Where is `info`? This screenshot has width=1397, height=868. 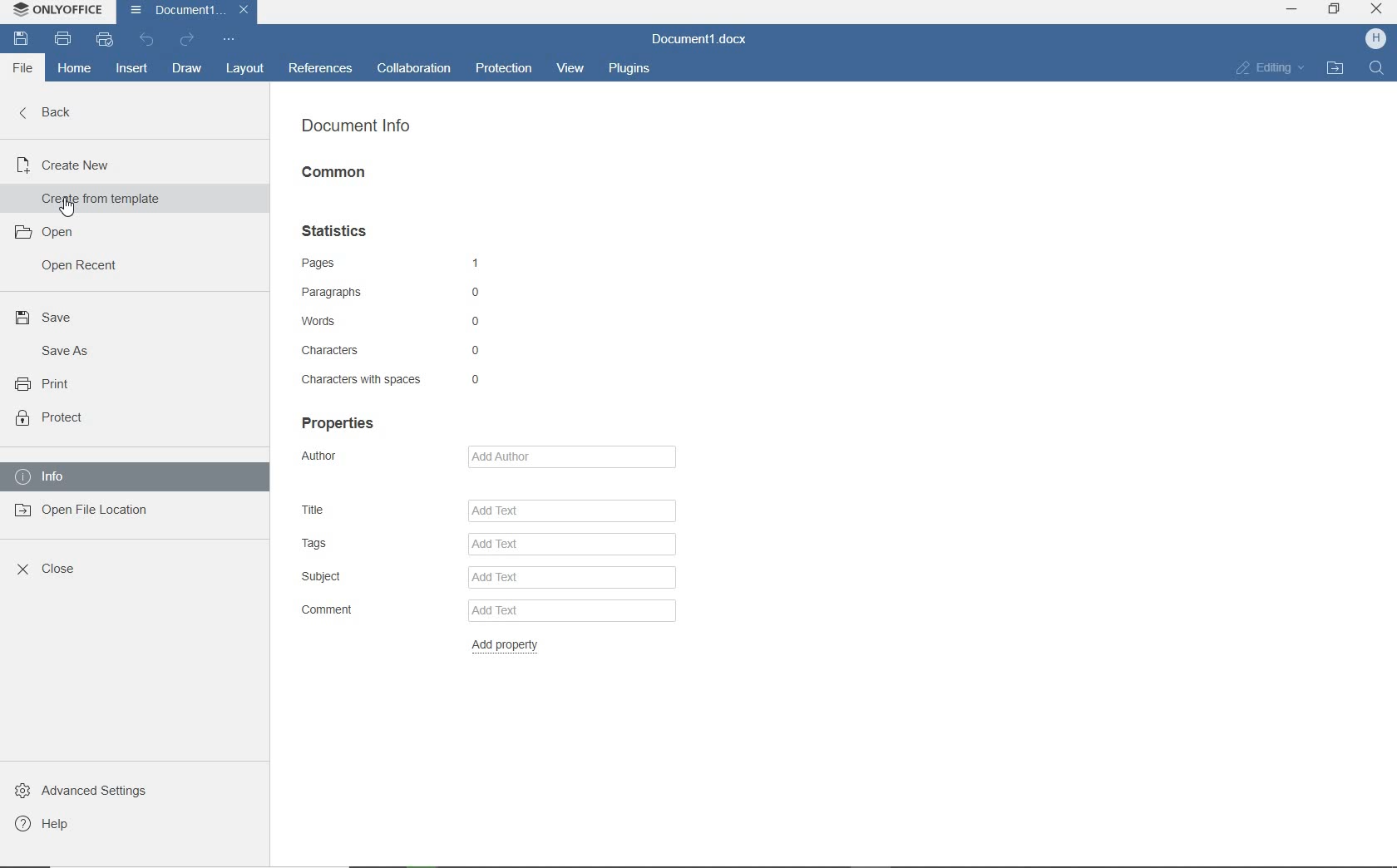 info is located at coordinates (89, 475).